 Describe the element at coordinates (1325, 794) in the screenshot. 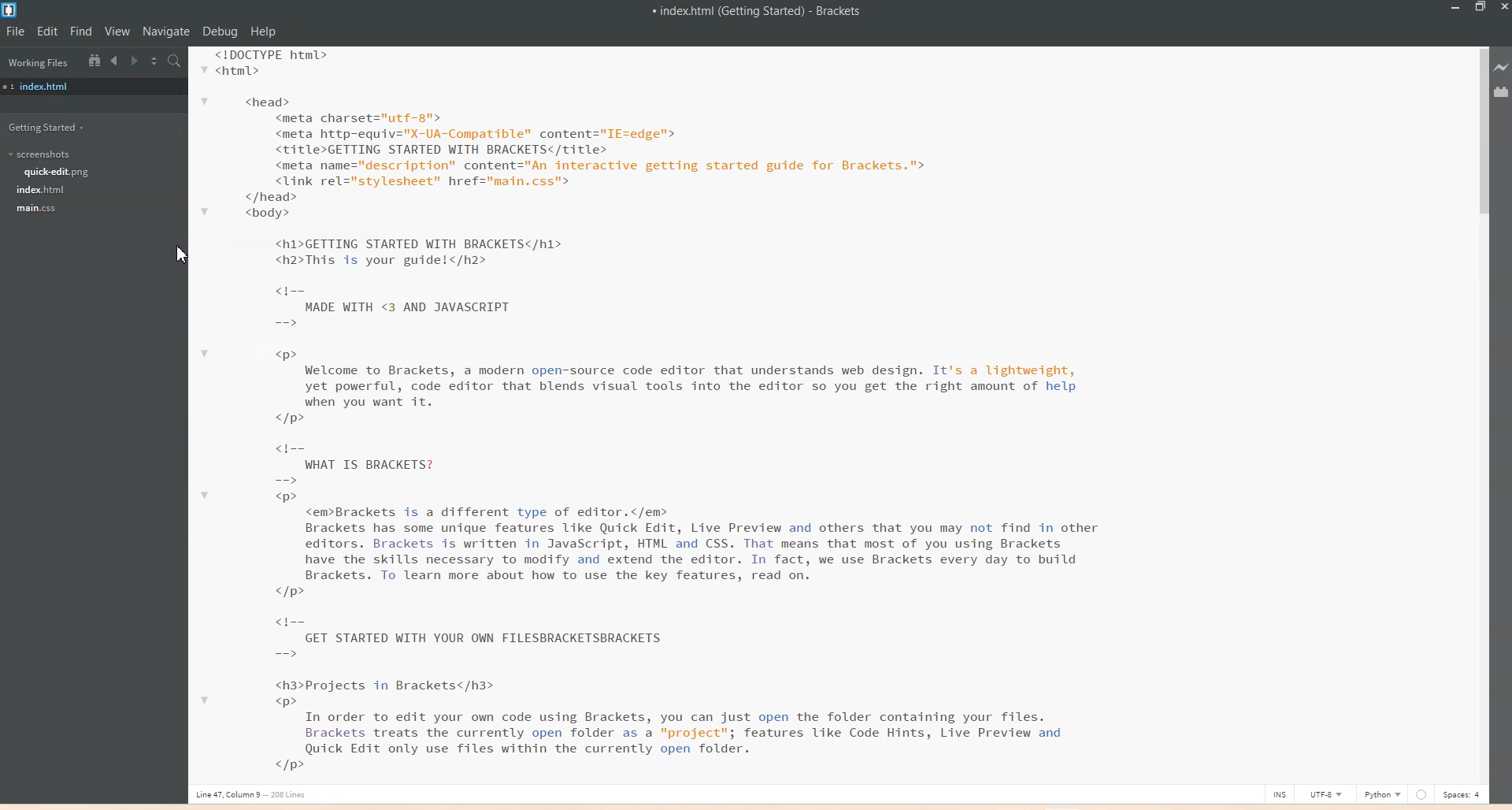

I see `UTF-8` at that location.